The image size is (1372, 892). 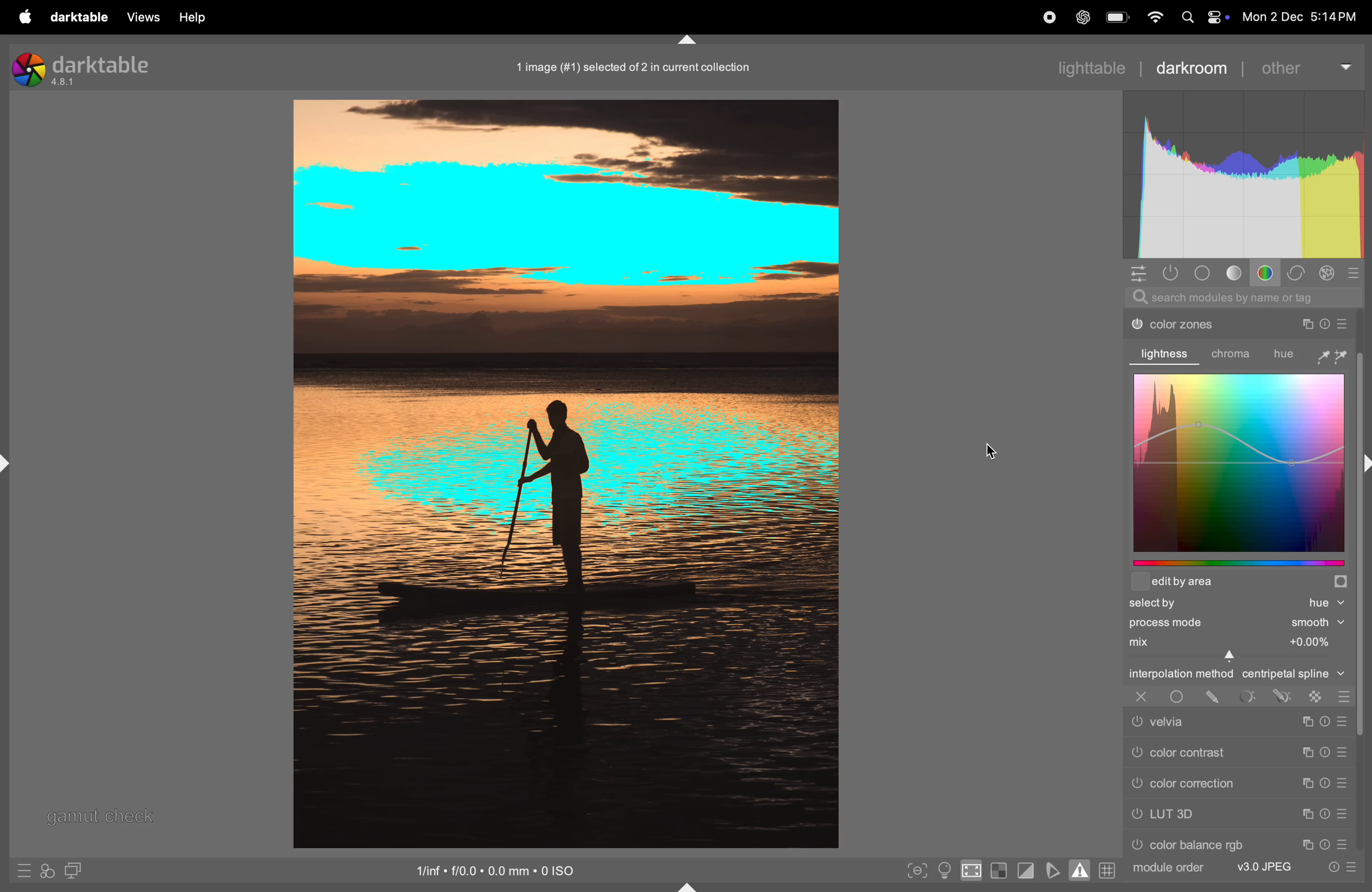 I want to click on Smooth, so click(x=1318, y=623).